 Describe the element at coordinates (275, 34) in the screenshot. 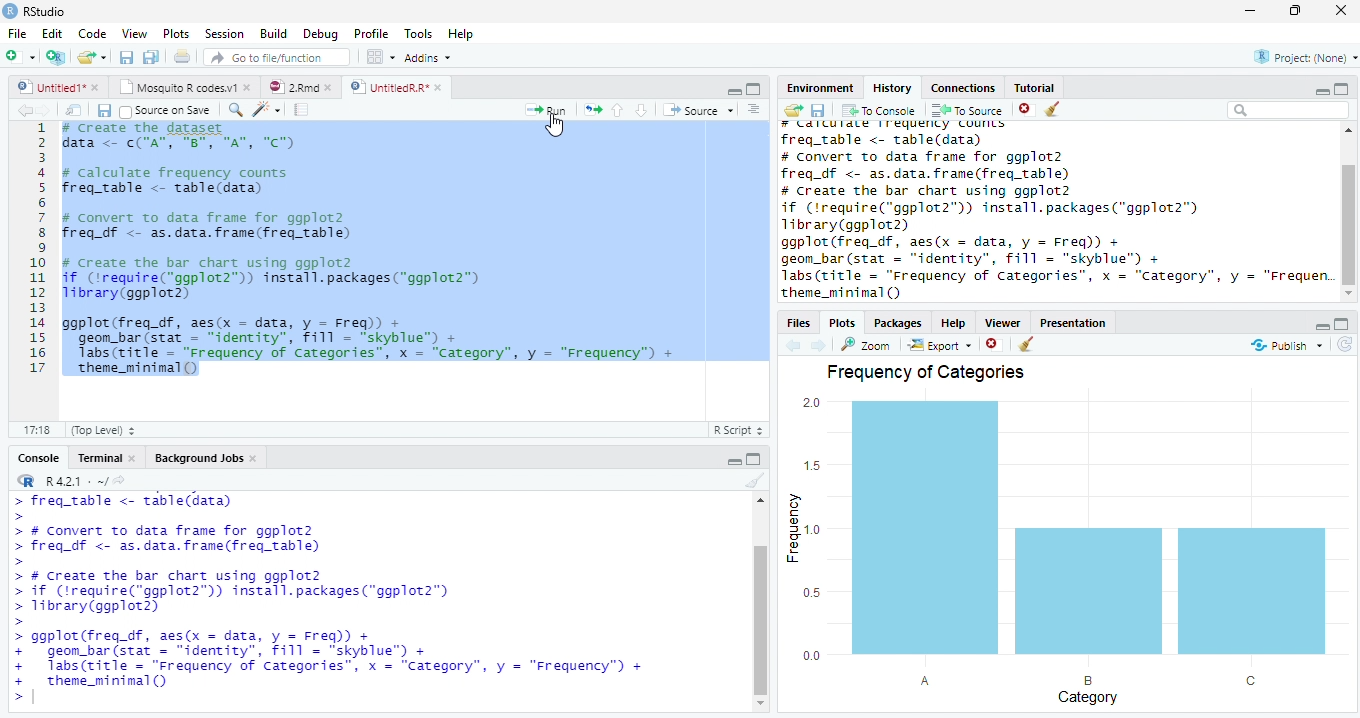

I see `Build` at that location.